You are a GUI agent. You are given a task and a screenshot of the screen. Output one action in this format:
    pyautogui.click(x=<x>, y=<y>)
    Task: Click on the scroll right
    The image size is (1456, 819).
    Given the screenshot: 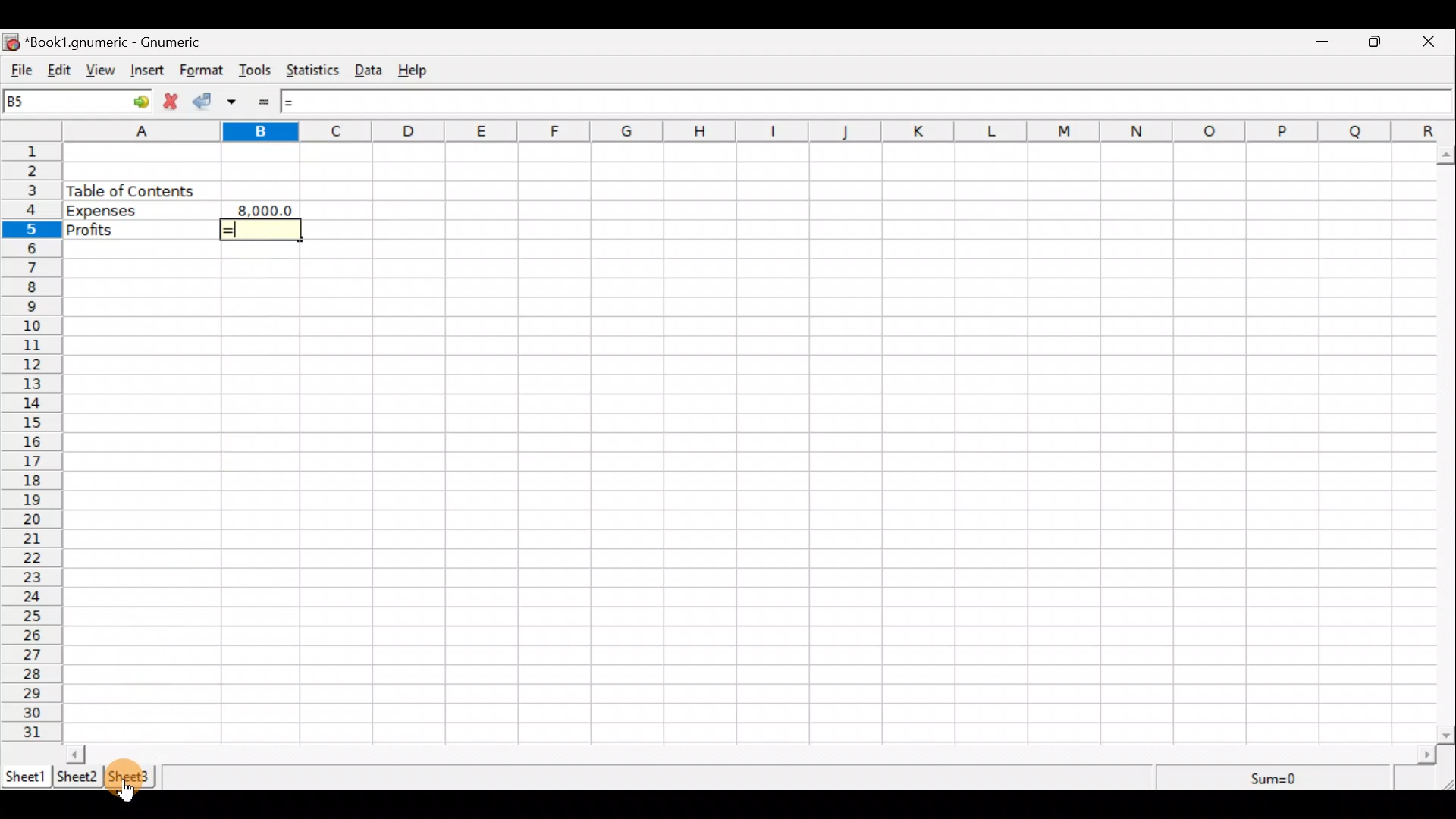 What is the action you would take?
    pyautogui.click(x=1426, y=755)
    